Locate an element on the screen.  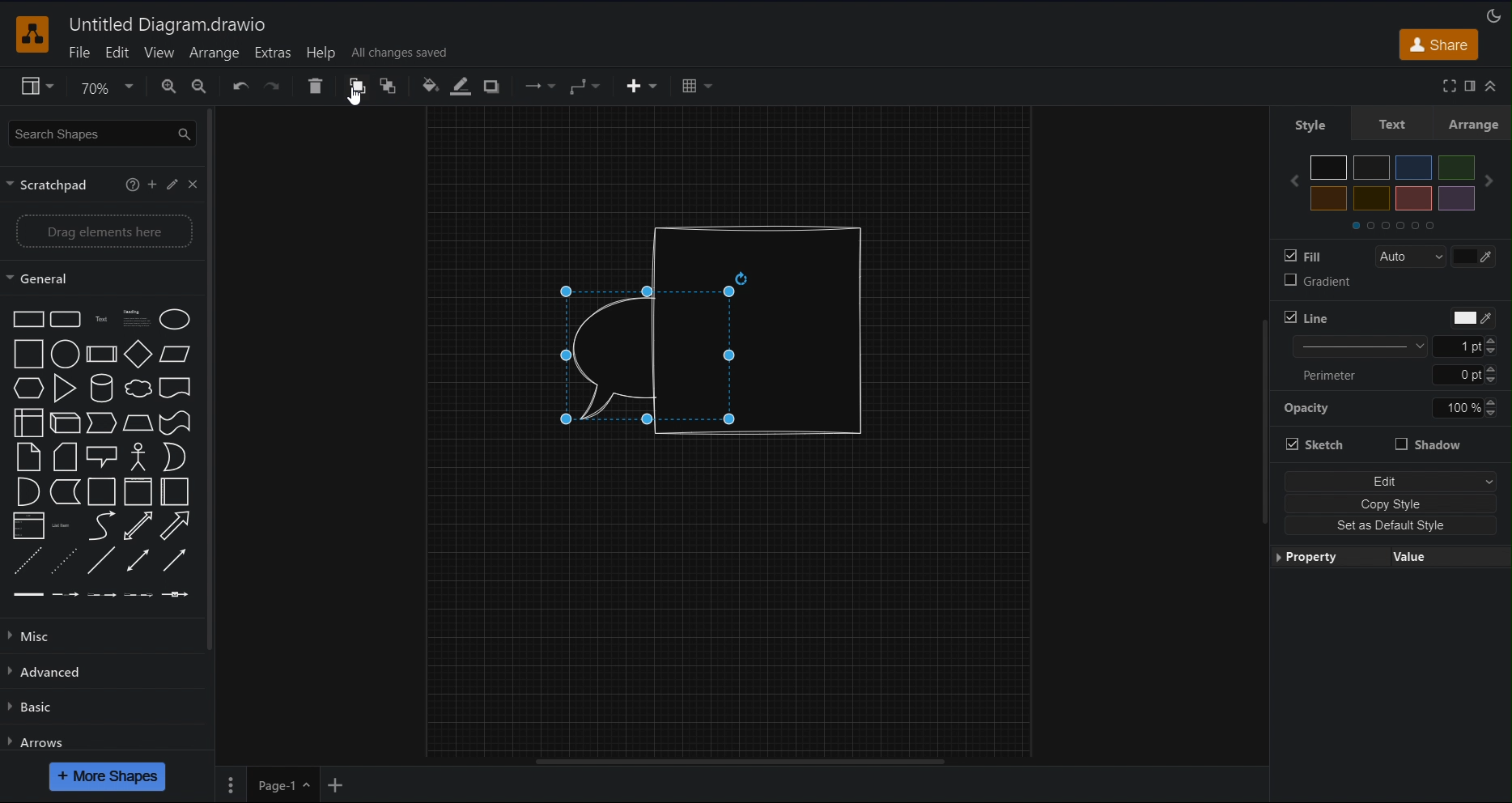
Rectangle is located at coordinates (28, 319).